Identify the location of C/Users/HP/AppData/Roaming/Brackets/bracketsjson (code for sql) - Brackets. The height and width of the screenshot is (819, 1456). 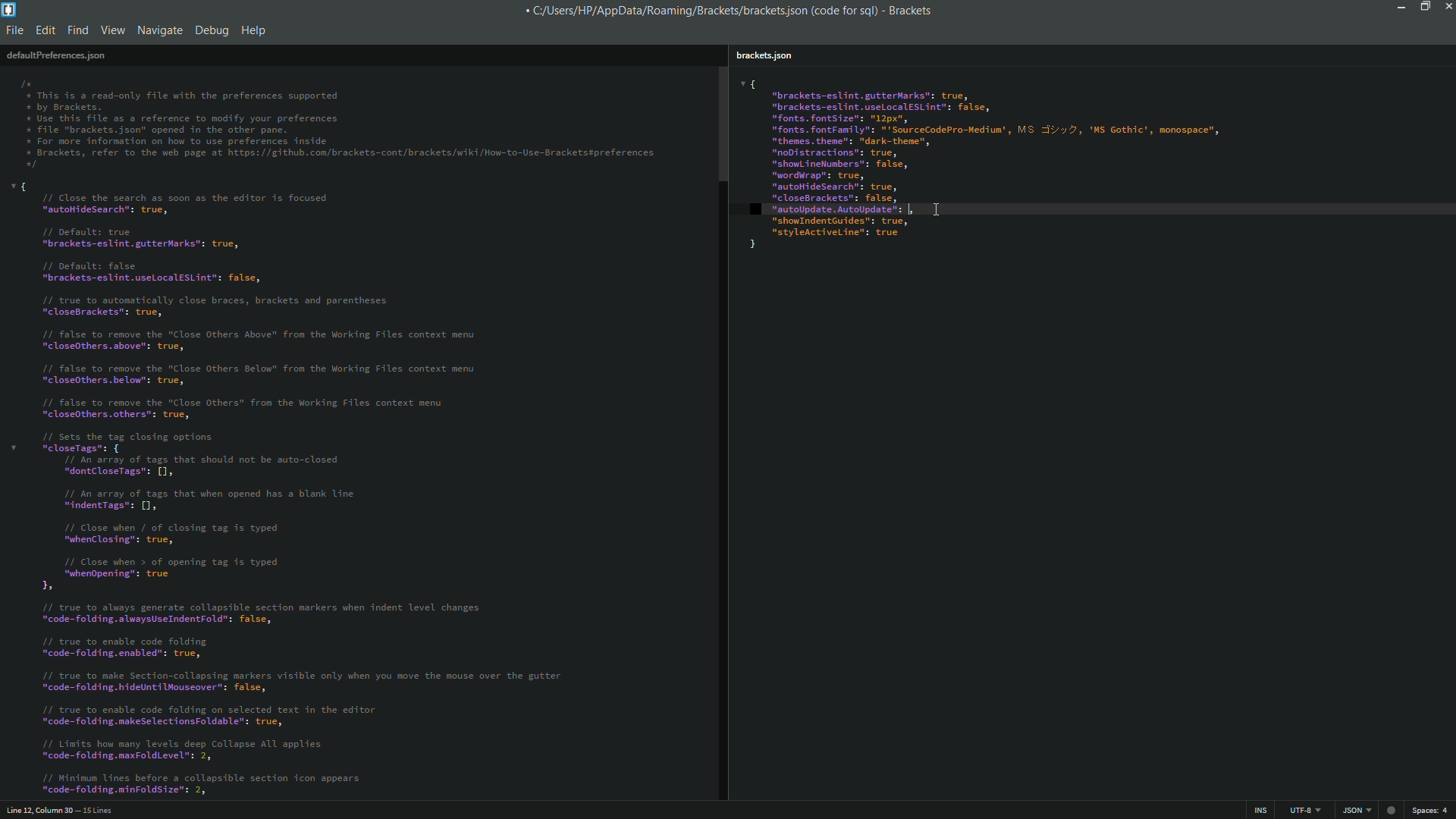
(736, 11).